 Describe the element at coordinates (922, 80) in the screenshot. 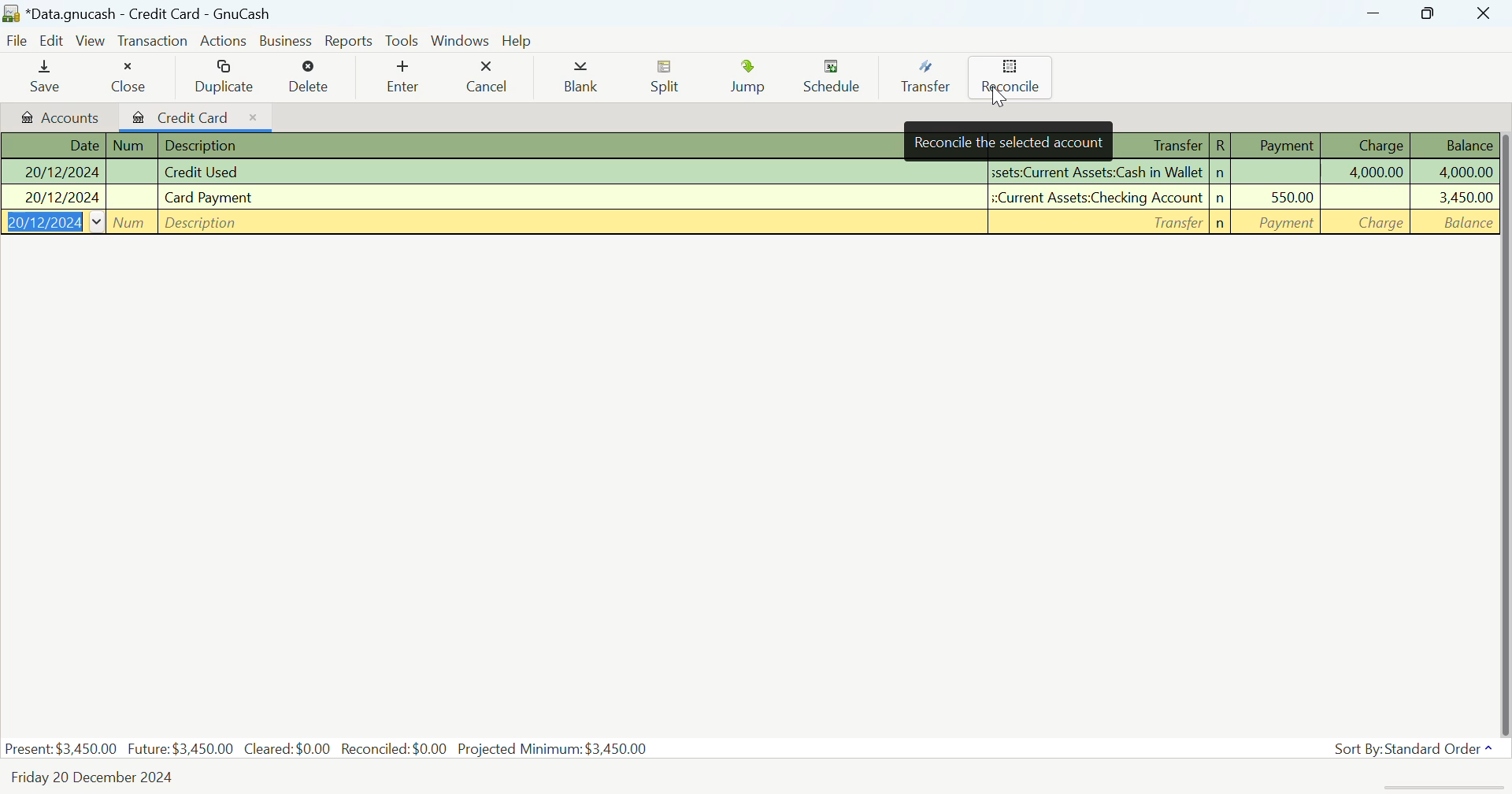

I see `Transfer` at that location.